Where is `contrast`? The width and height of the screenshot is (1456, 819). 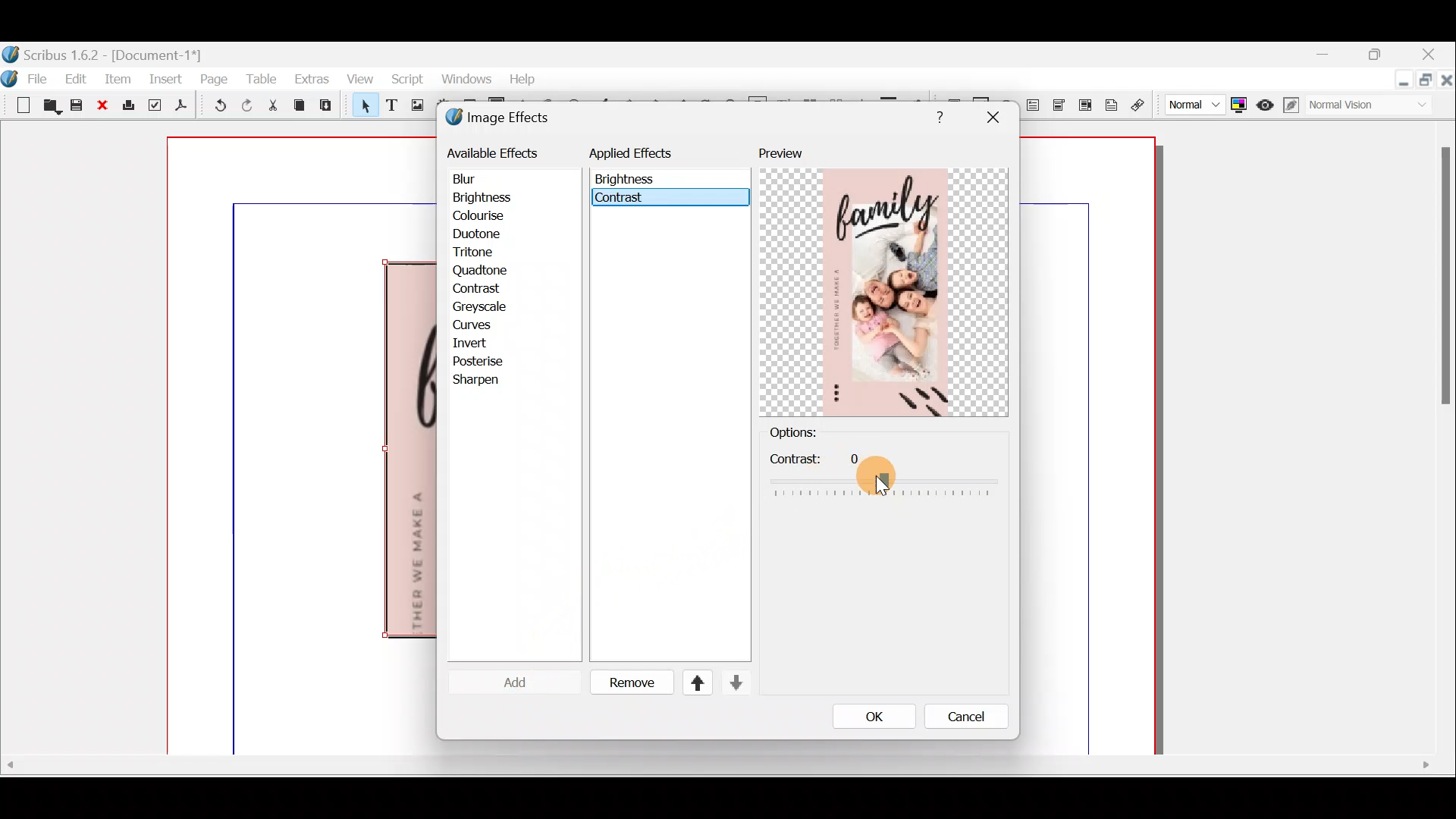
contrast is located at coordinates (661, 197).